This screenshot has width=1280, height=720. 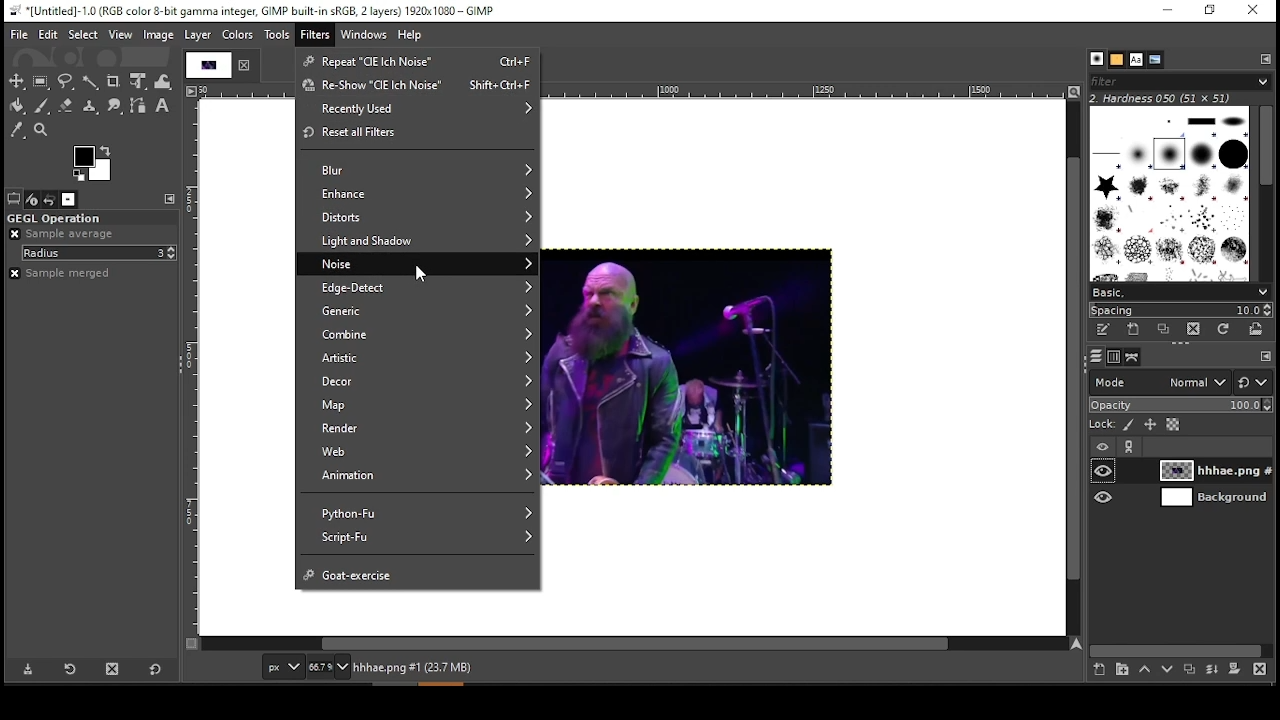 What do you see at coordinates (416, 360) in the screenshot?
I see `artistic` at bounding box center [416, 360].